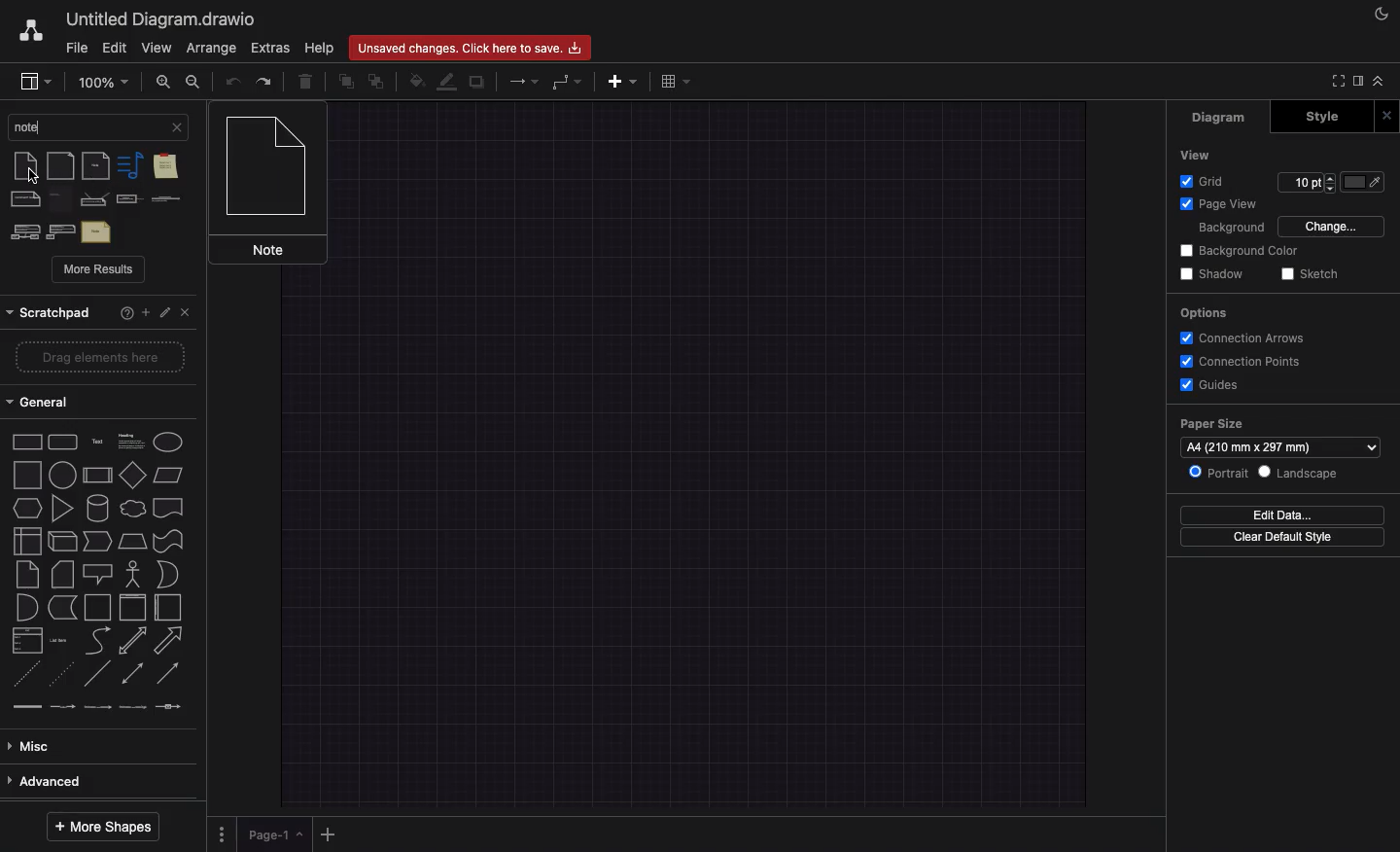  What do you see at coordinates (270, 48) in the screenshot?
I see `Extras` at bounding box center [270, 48].